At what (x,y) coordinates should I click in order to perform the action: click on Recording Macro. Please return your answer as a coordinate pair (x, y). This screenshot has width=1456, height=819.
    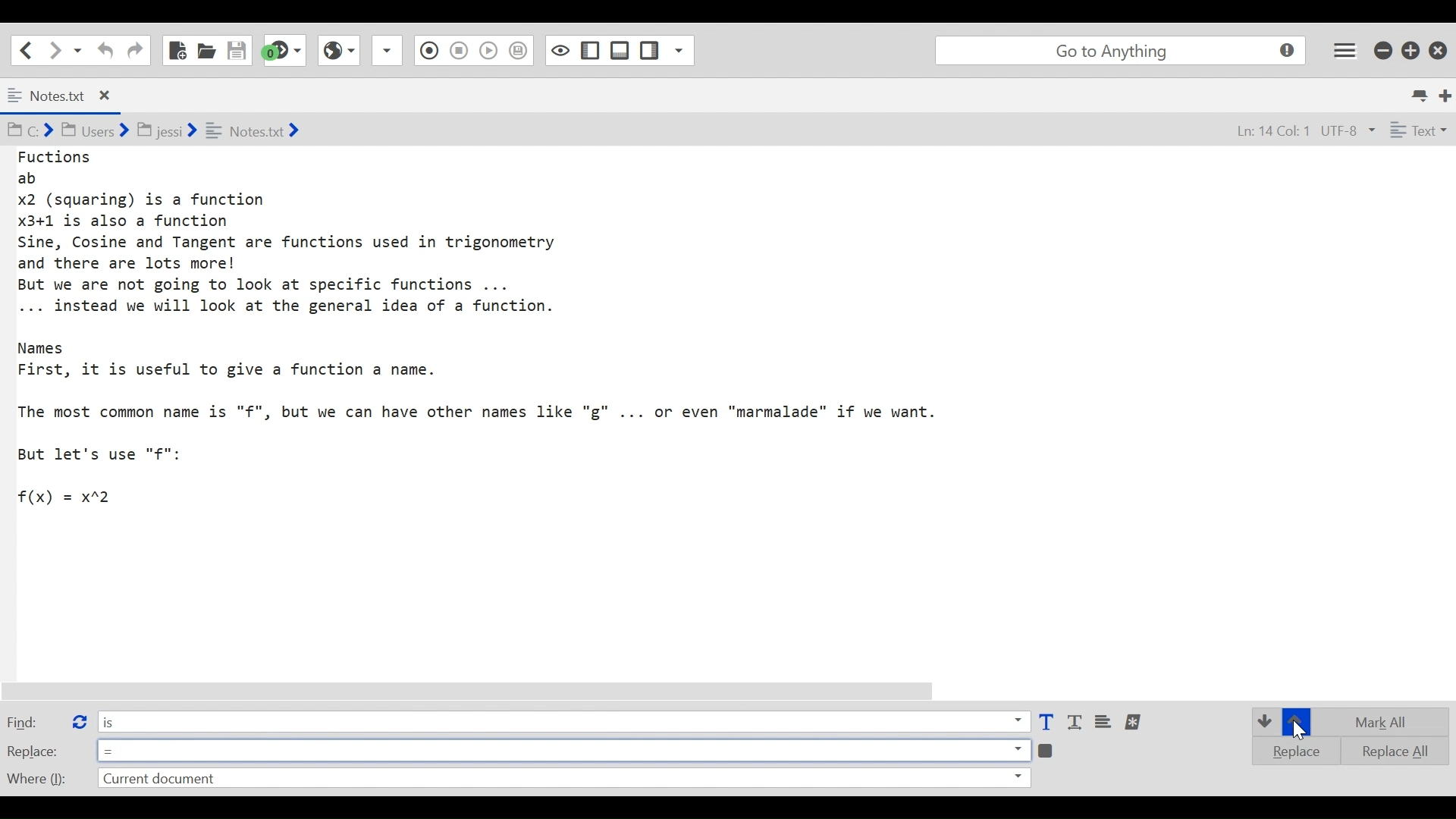
    Looking at the image, I should click on (388, 50).